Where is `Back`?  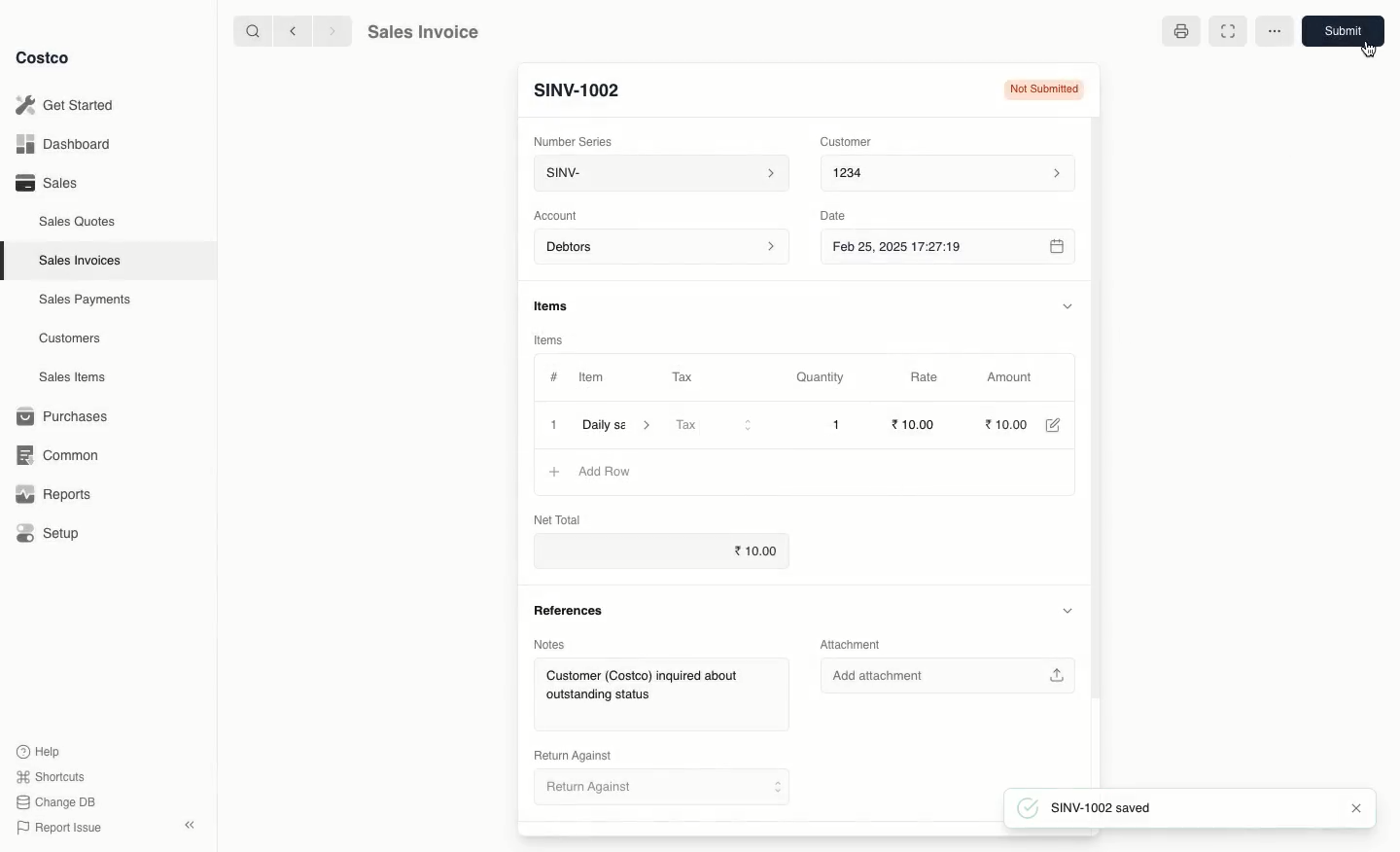 Back is located at coordinates (288, 33).